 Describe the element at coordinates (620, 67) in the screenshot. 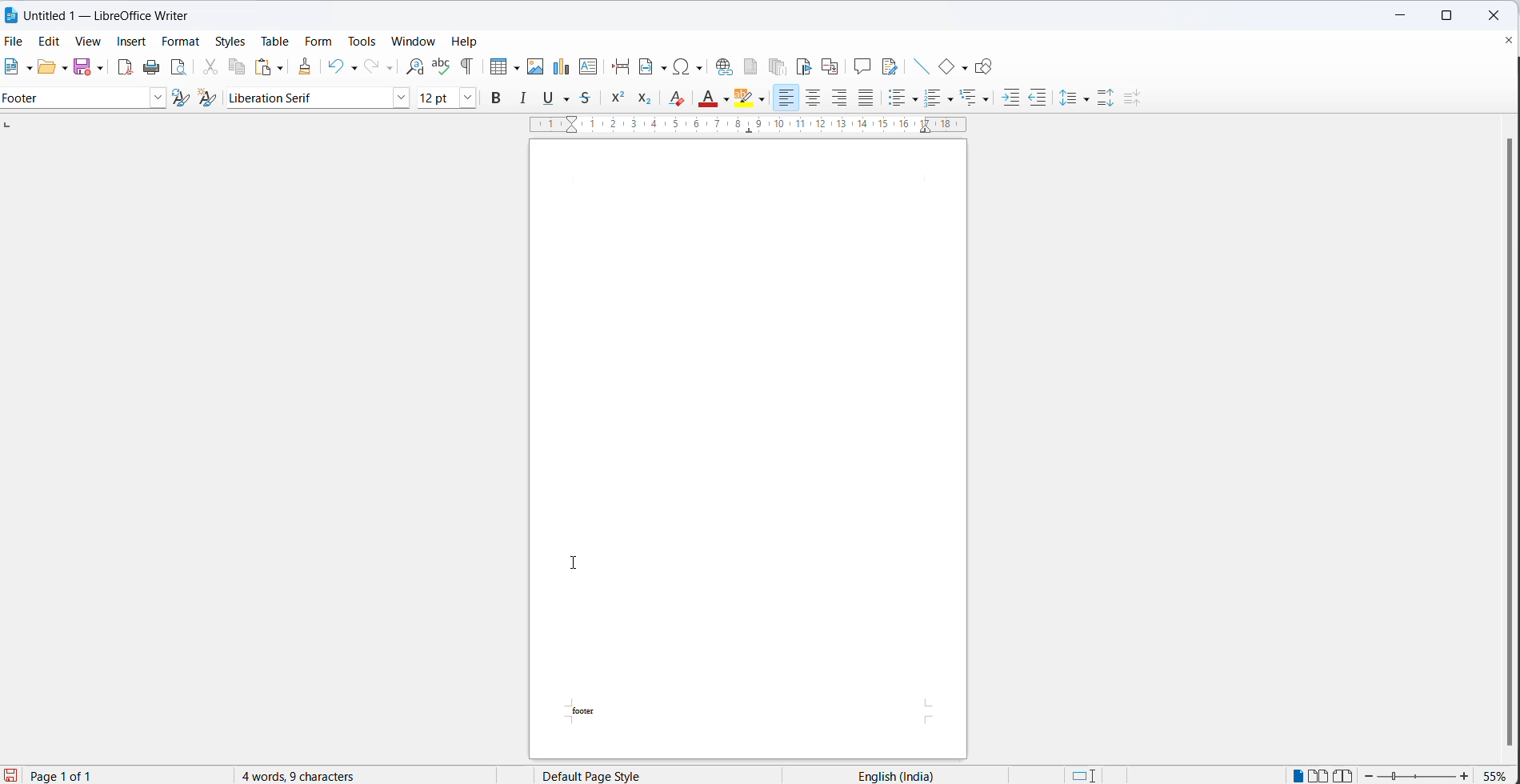

I see `insert page break` at that location.